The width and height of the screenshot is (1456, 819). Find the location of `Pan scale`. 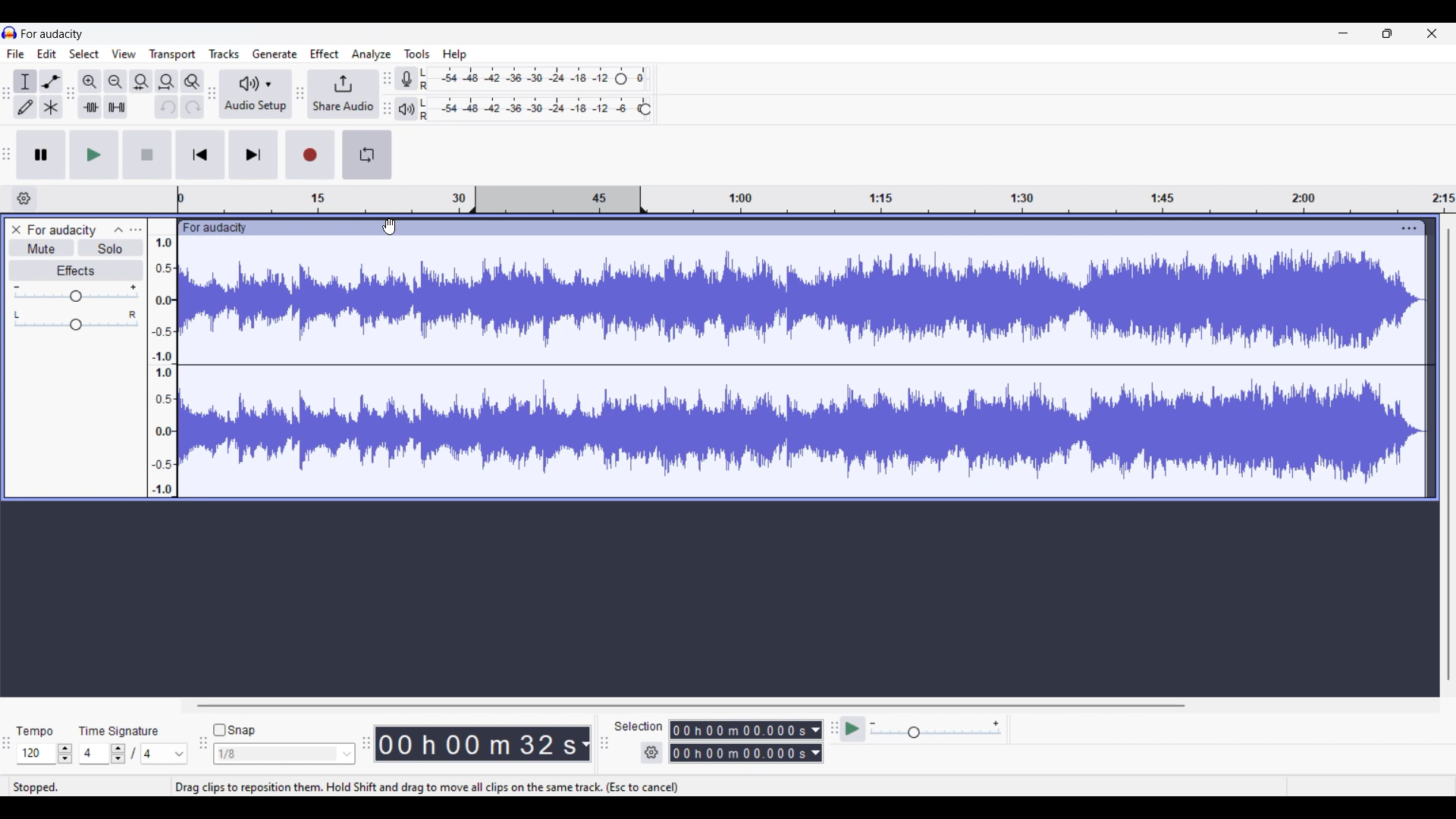

Pan scale is located at coordinates (77, 321).